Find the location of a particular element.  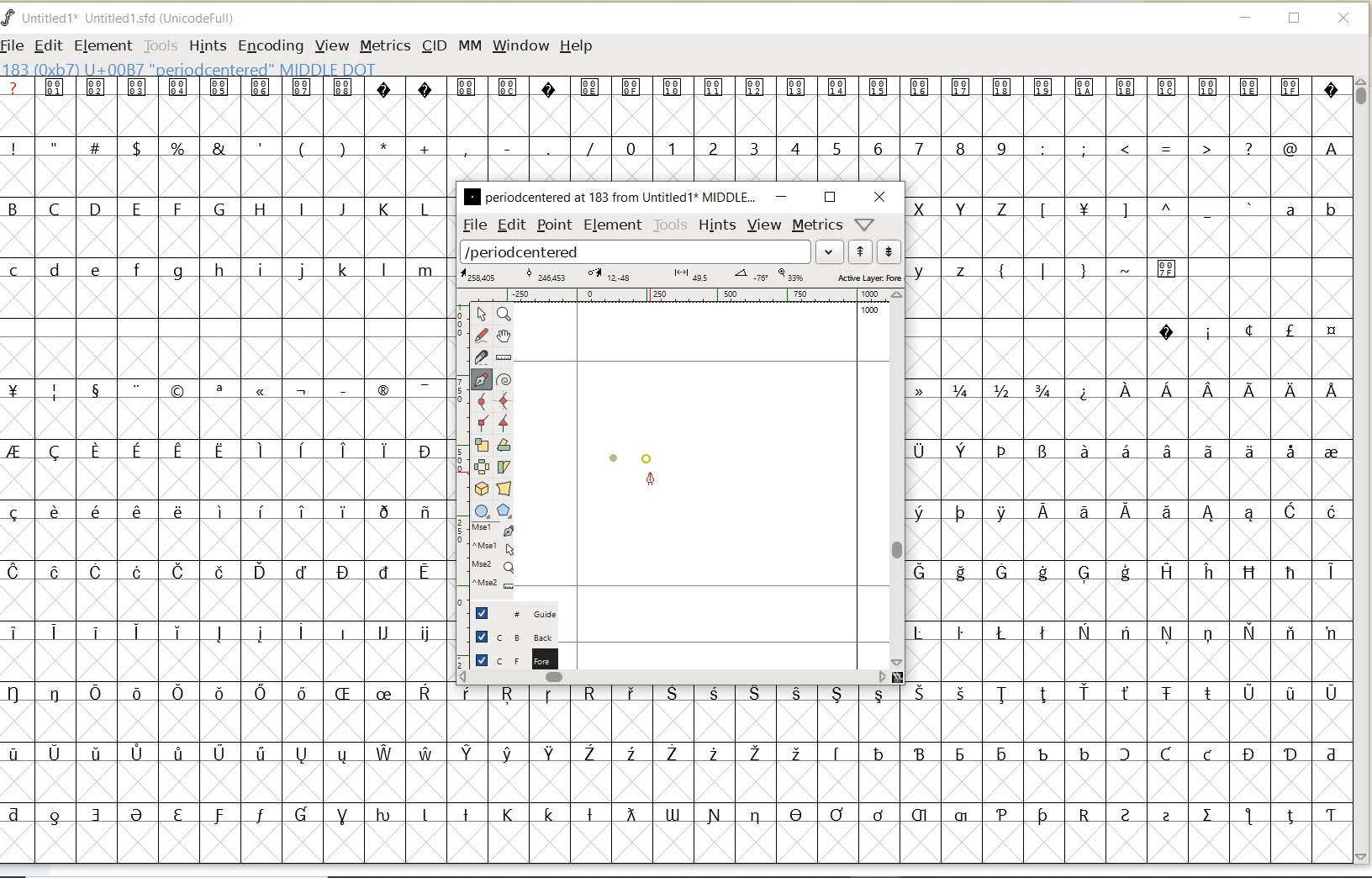

VIEW is located at coordinates (332, 46).